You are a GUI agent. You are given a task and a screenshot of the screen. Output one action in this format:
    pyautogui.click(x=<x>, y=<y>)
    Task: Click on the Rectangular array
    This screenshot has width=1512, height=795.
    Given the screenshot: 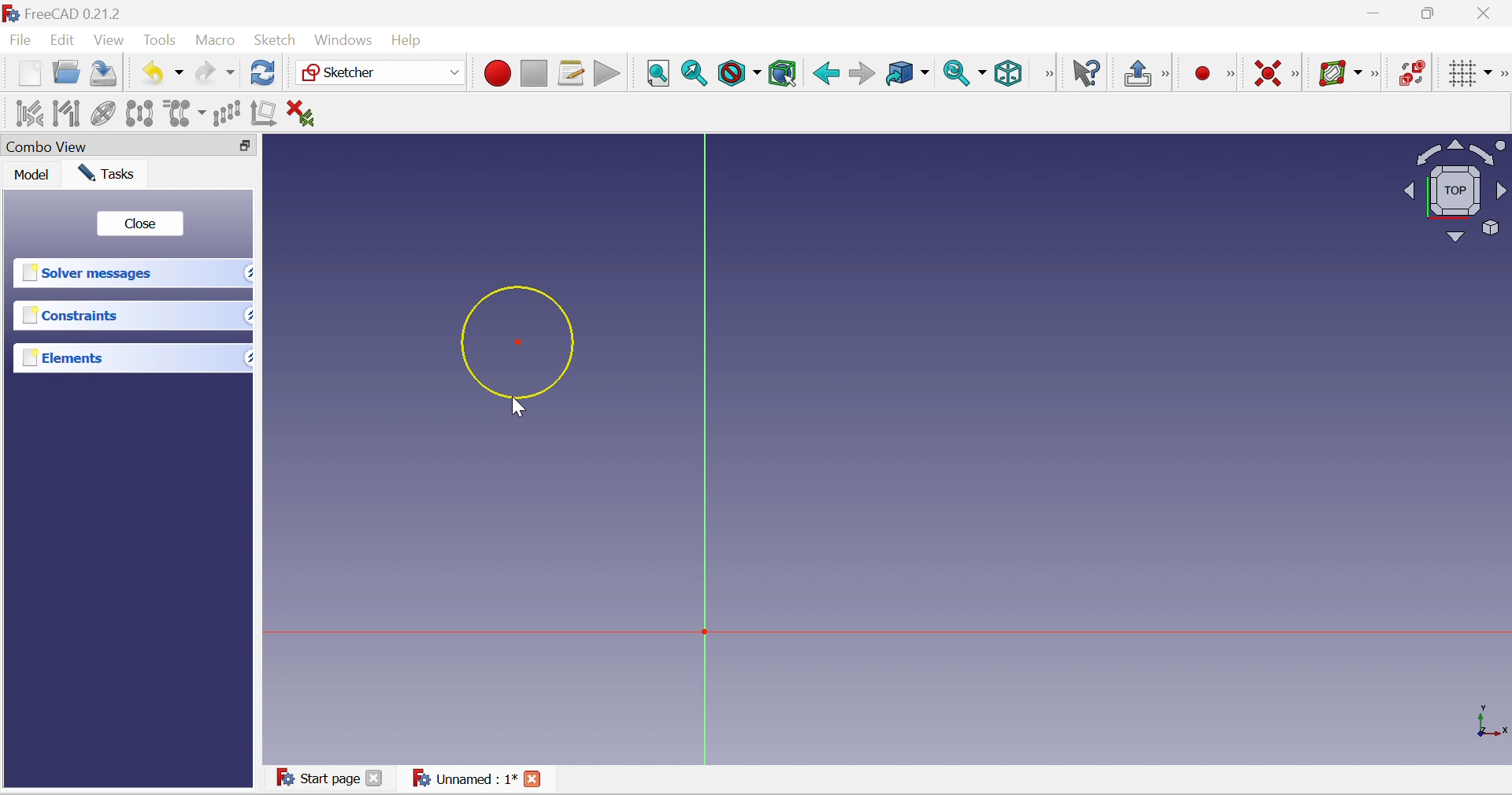 What is the action you would take?
    pyautogui.click(x=225, y=113)
    